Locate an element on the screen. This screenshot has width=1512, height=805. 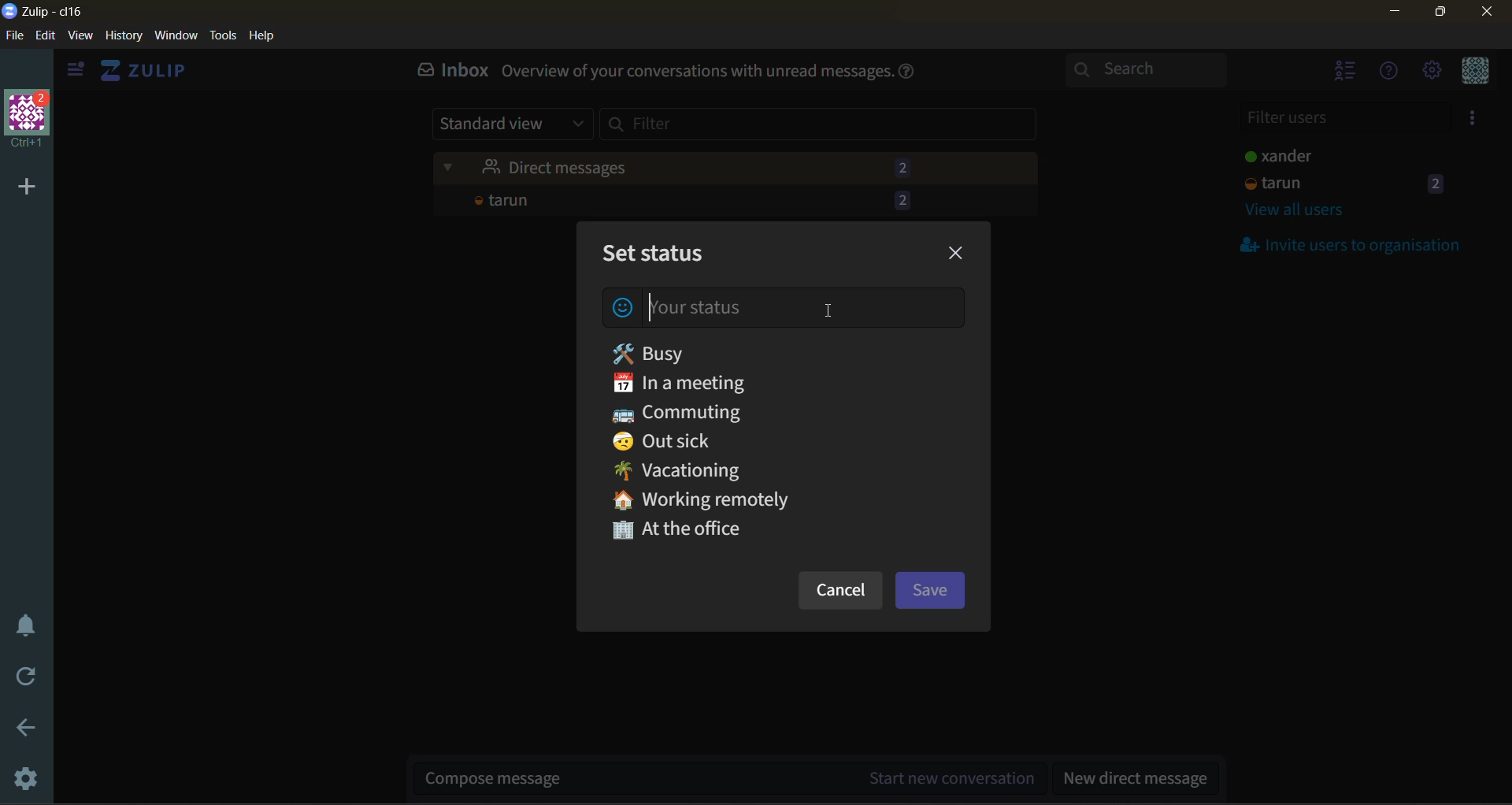
tarun is located at coordinates (726, 200).